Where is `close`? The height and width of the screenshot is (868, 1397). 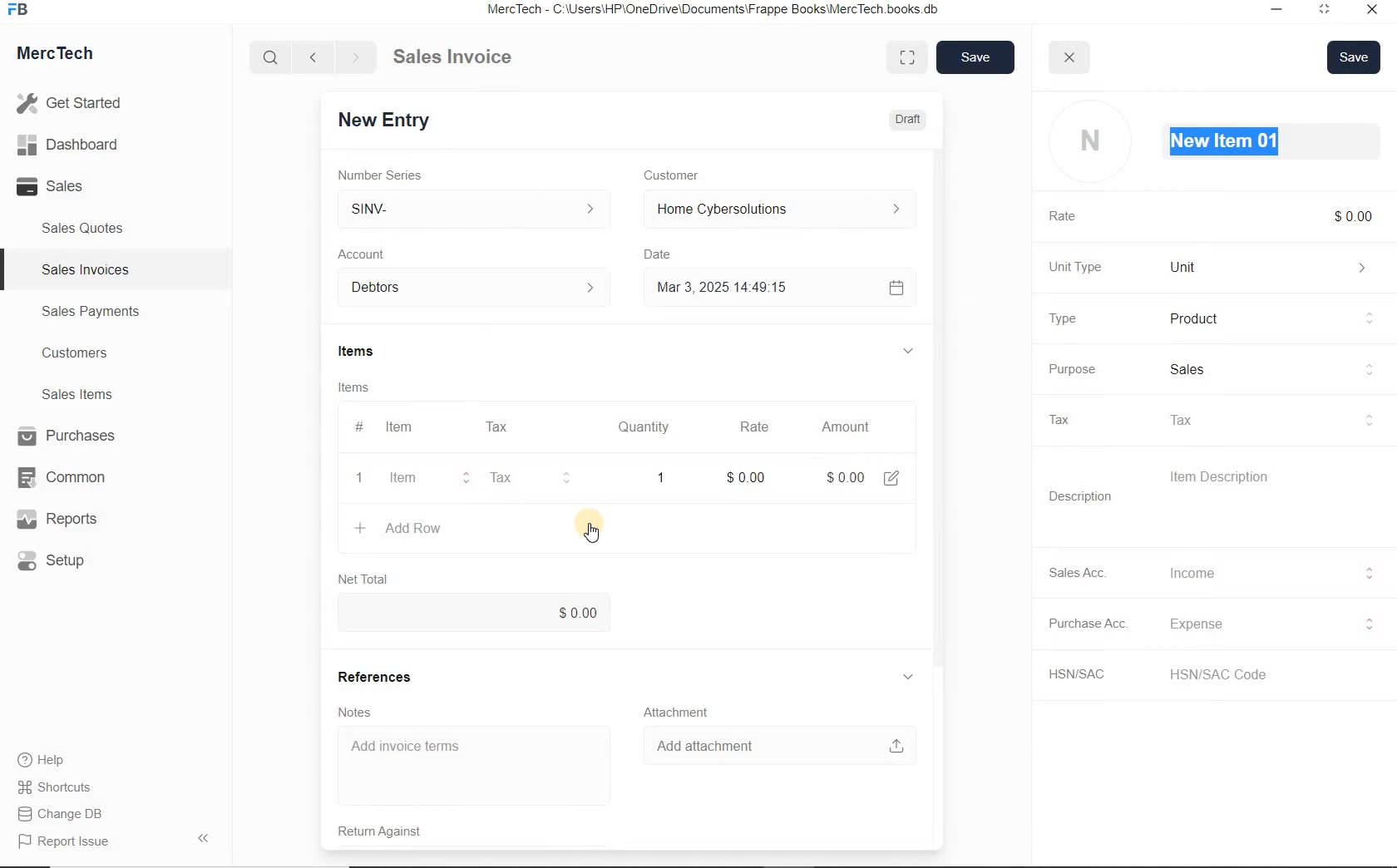
close is located at coordinates (1069, 57).